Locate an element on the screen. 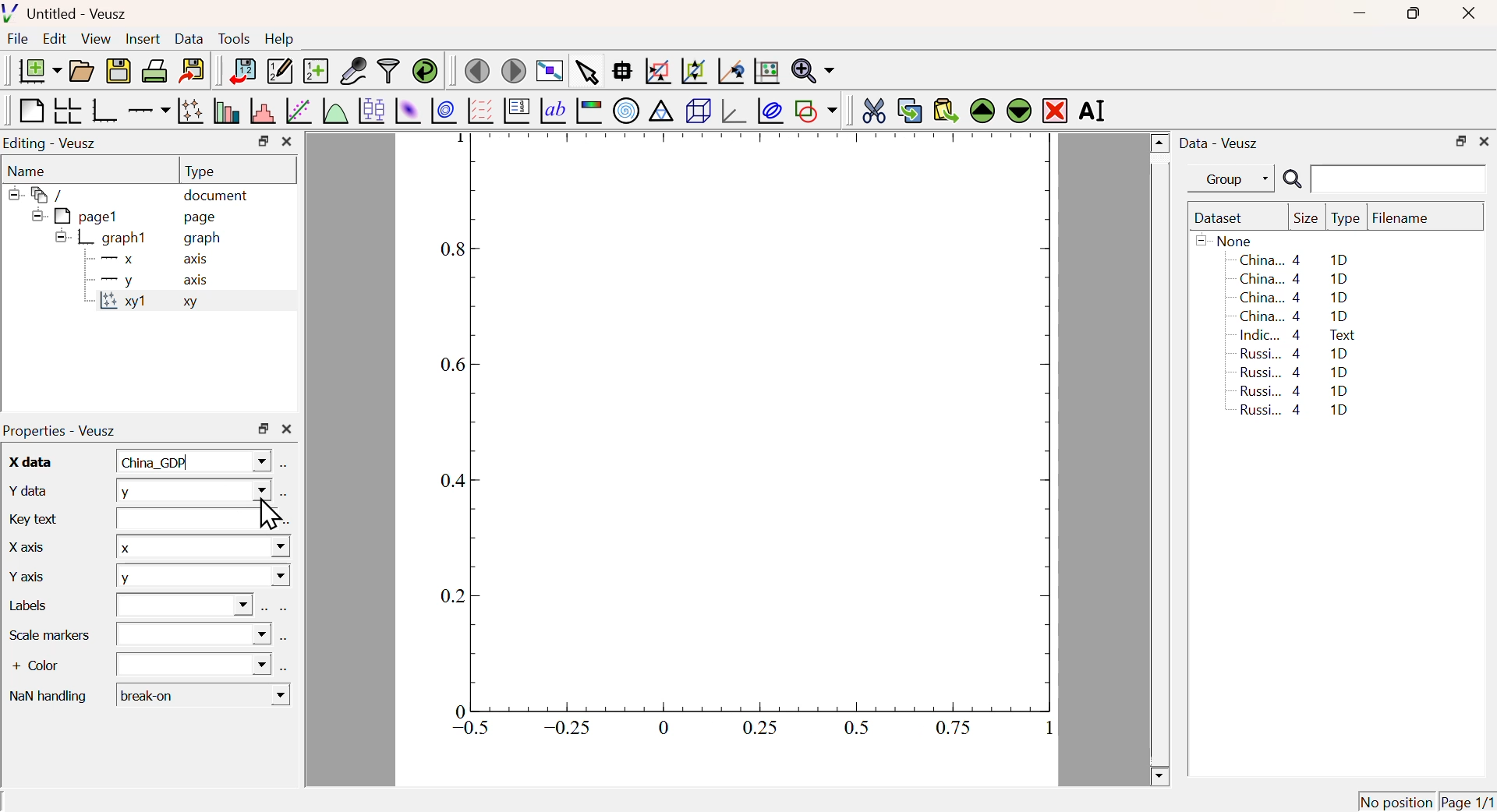 Image resolution: width=1497 pixels, height=812 pixels. document is located at coordinates (217, 197).